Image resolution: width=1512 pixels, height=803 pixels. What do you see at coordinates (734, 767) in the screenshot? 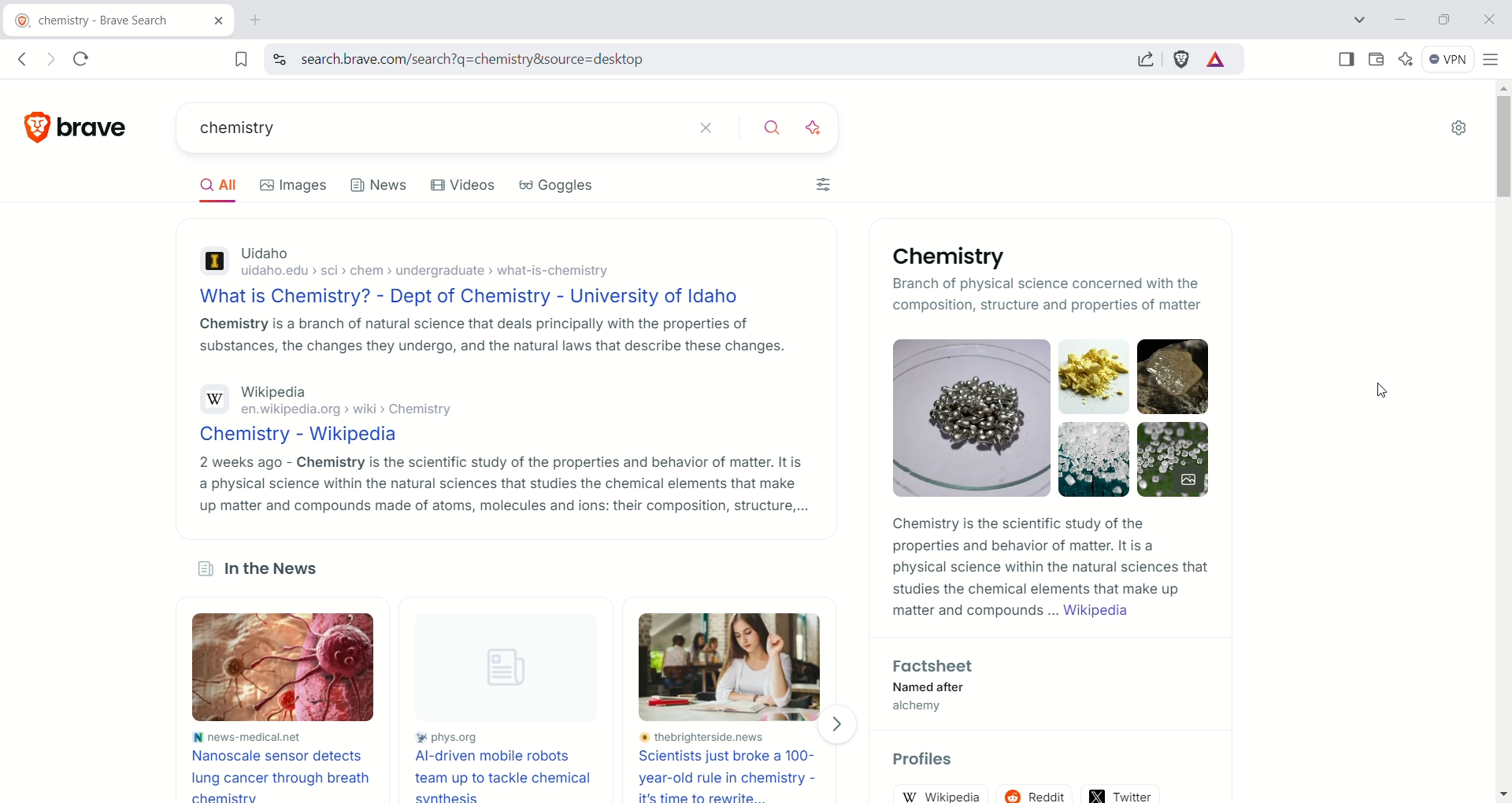
I see `thebrighterside.news scientists just broke a 100-year-old rule in chemistry - it's time to rewrite` at bounding box center [734, 767].